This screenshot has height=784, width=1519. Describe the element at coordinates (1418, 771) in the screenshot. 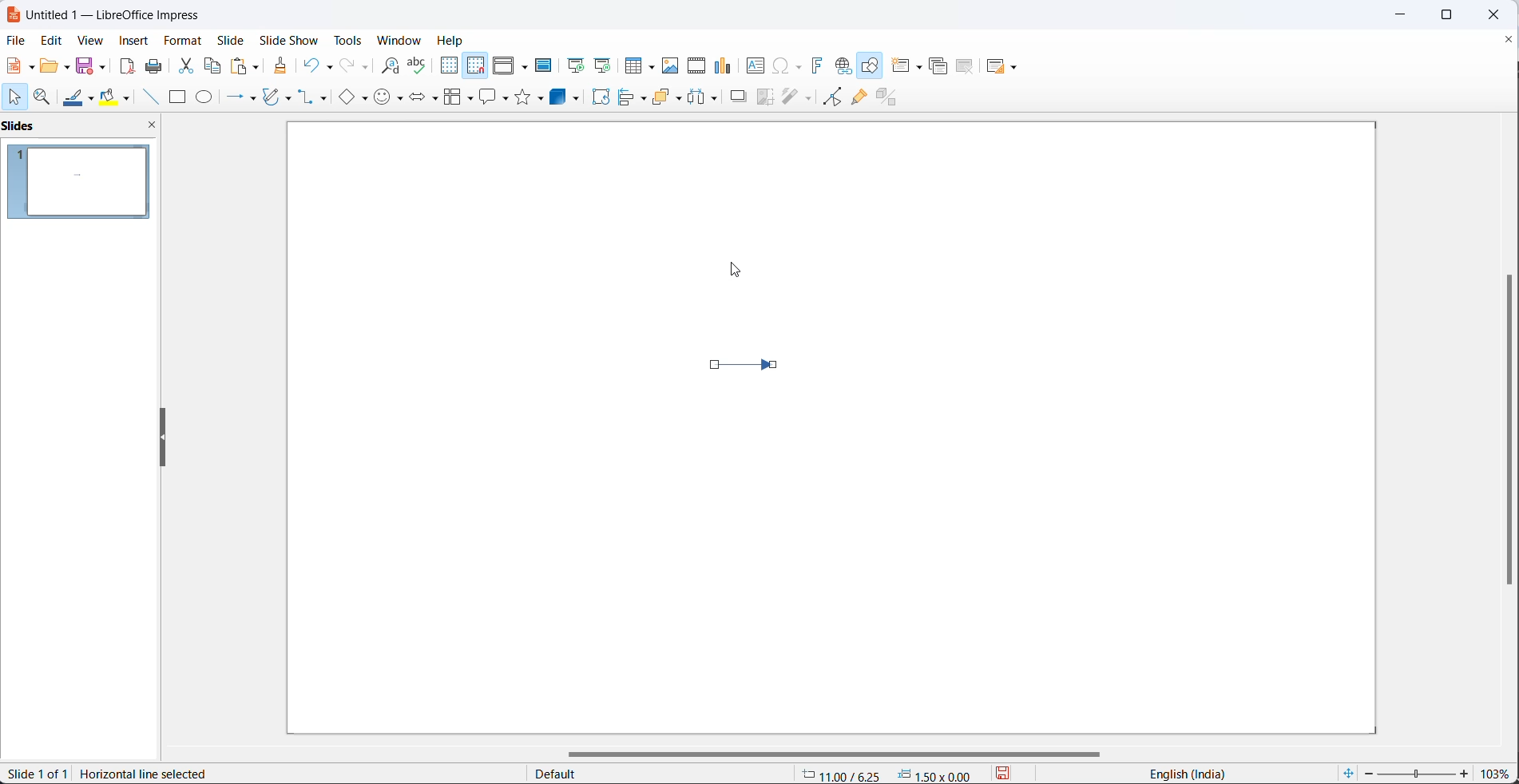

I see `zoom slider` at that location.